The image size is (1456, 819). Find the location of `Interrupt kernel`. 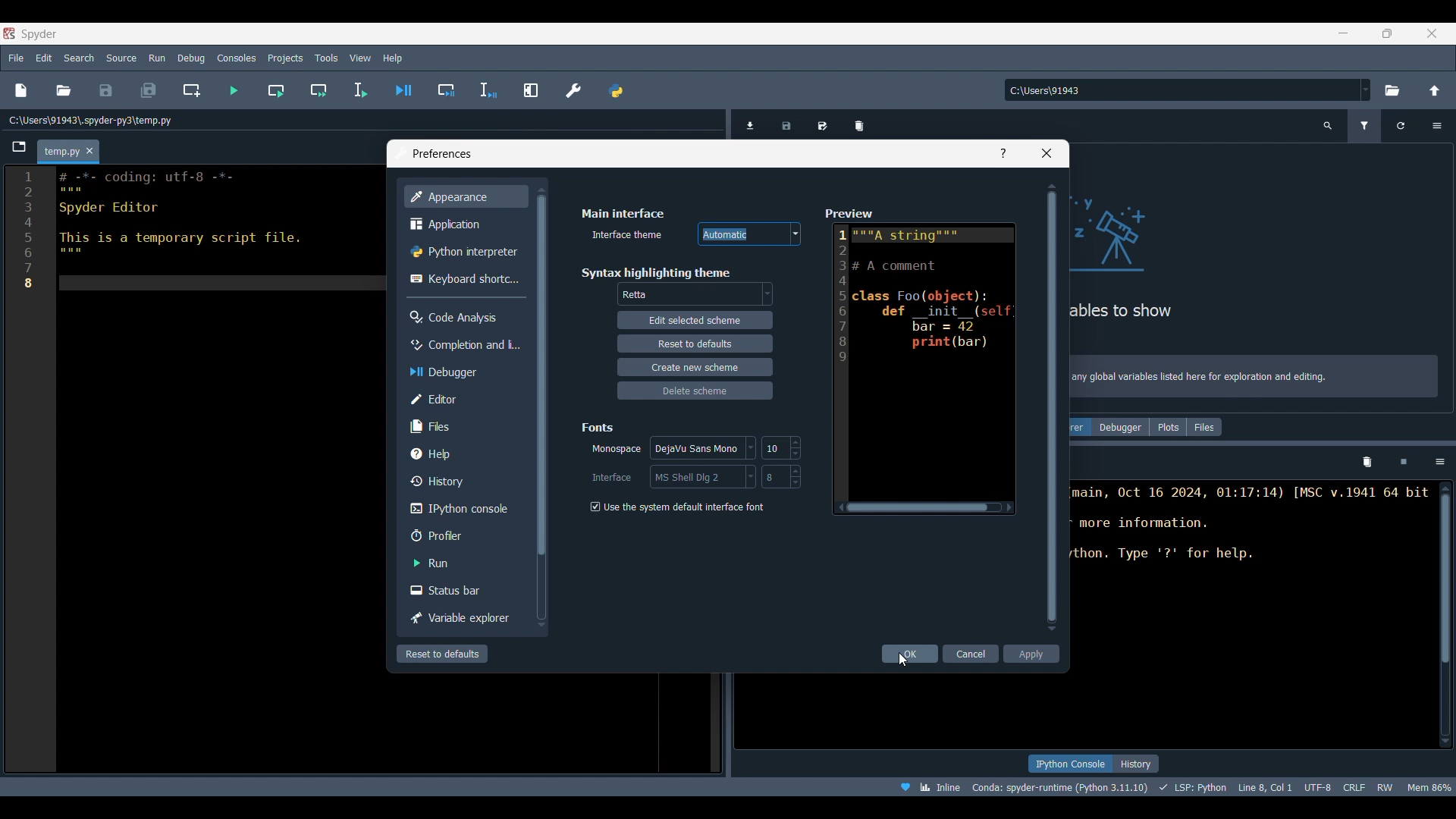

Interrupt kernel is located at coordinates (1404, 463).